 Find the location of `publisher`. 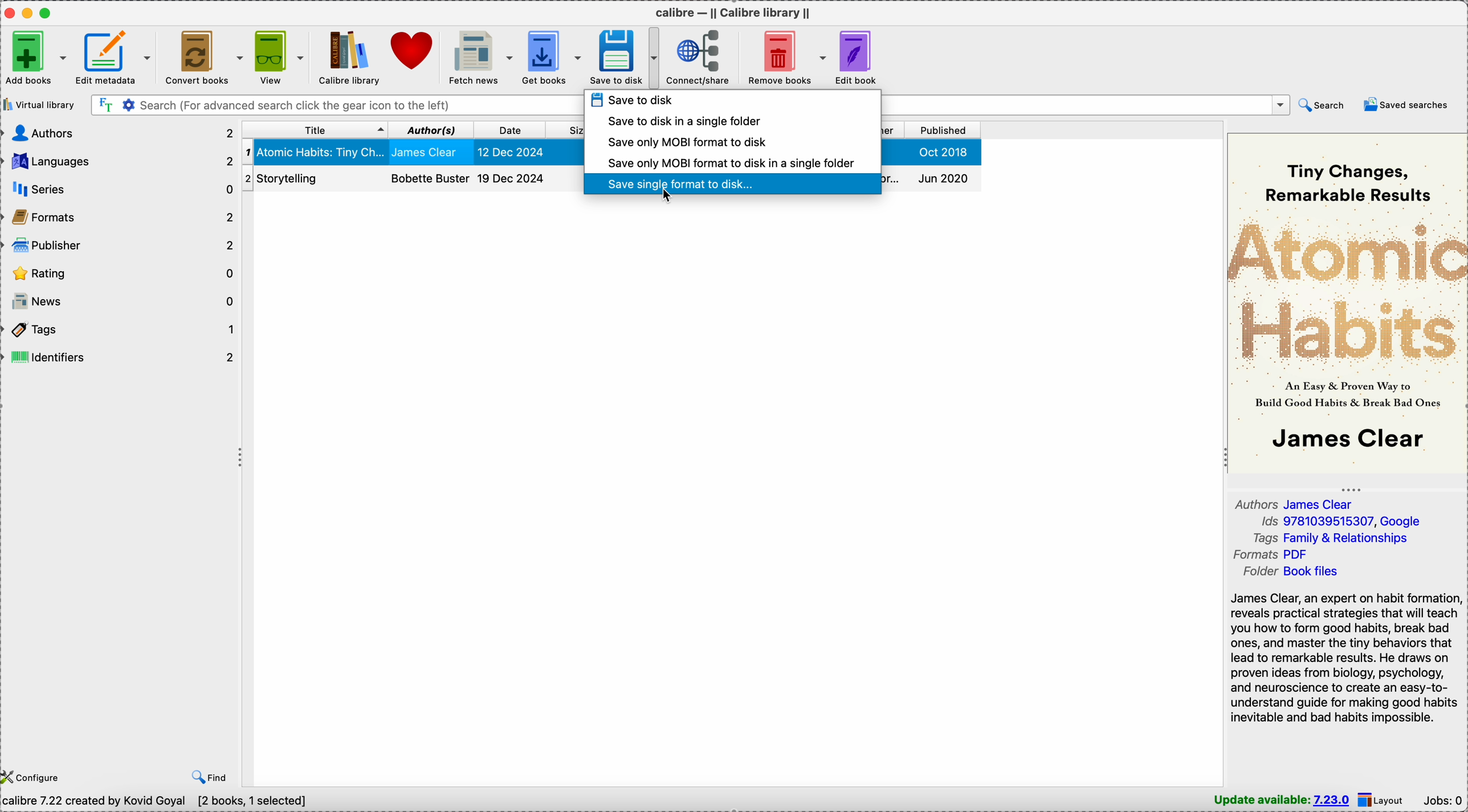

publisher is located at coordinates (892, 130).